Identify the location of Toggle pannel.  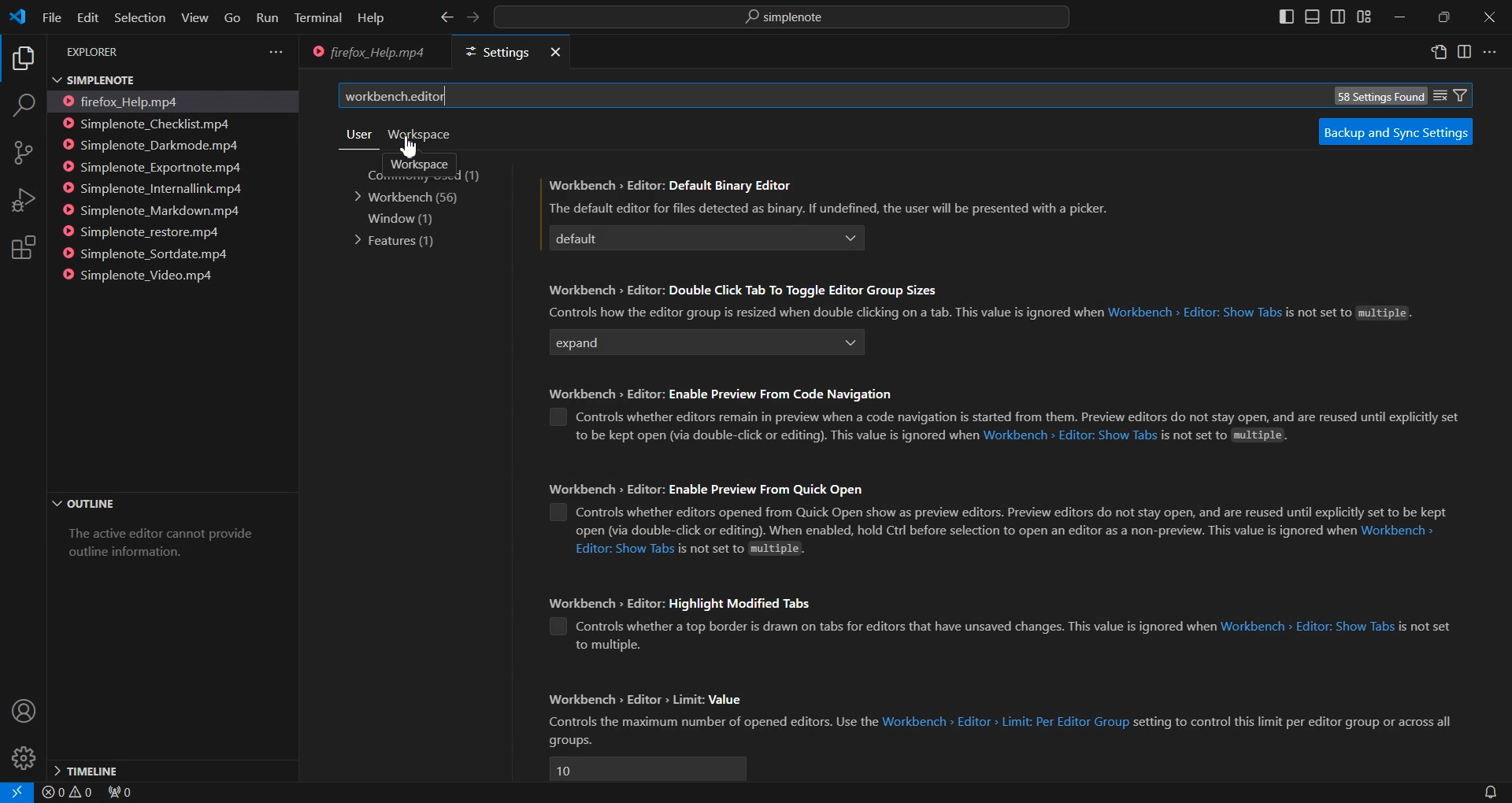
(1312, 17).